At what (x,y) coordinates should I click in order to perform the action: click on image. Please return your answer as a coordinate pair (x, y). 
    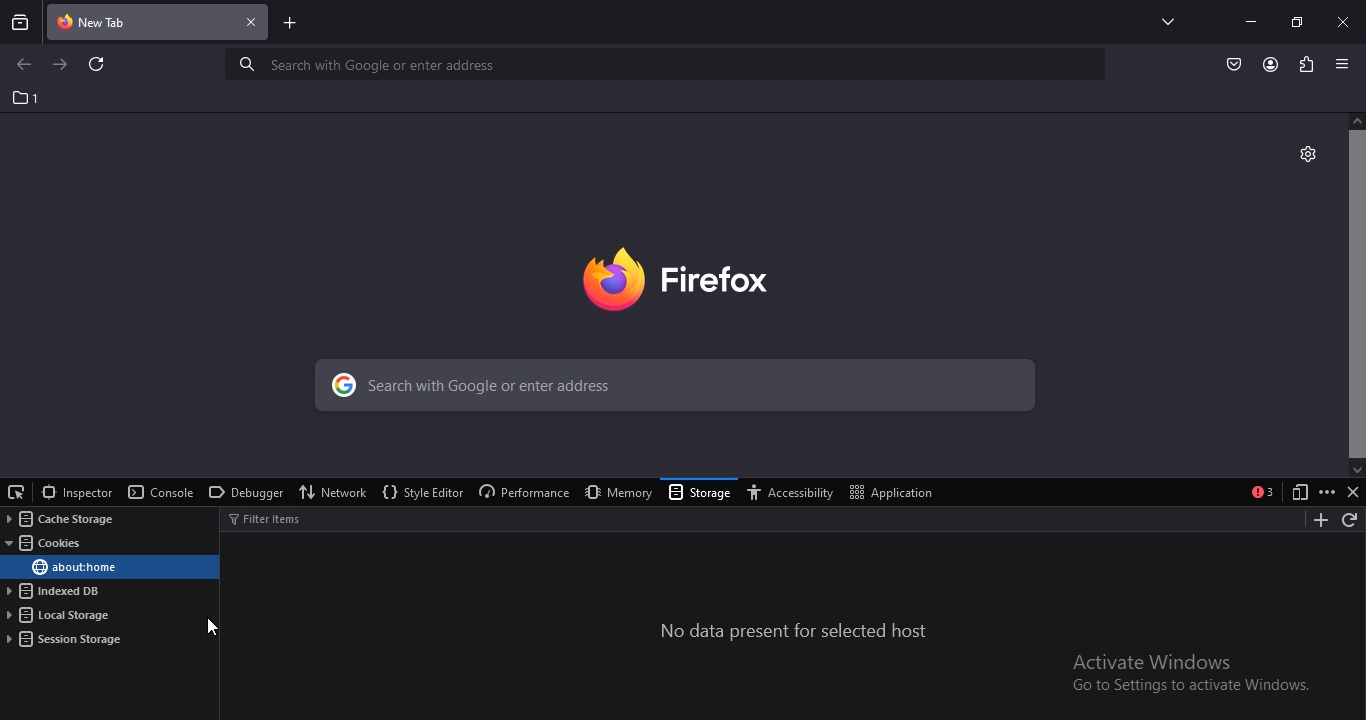
    Looking at the image, I should click on (706, 275).